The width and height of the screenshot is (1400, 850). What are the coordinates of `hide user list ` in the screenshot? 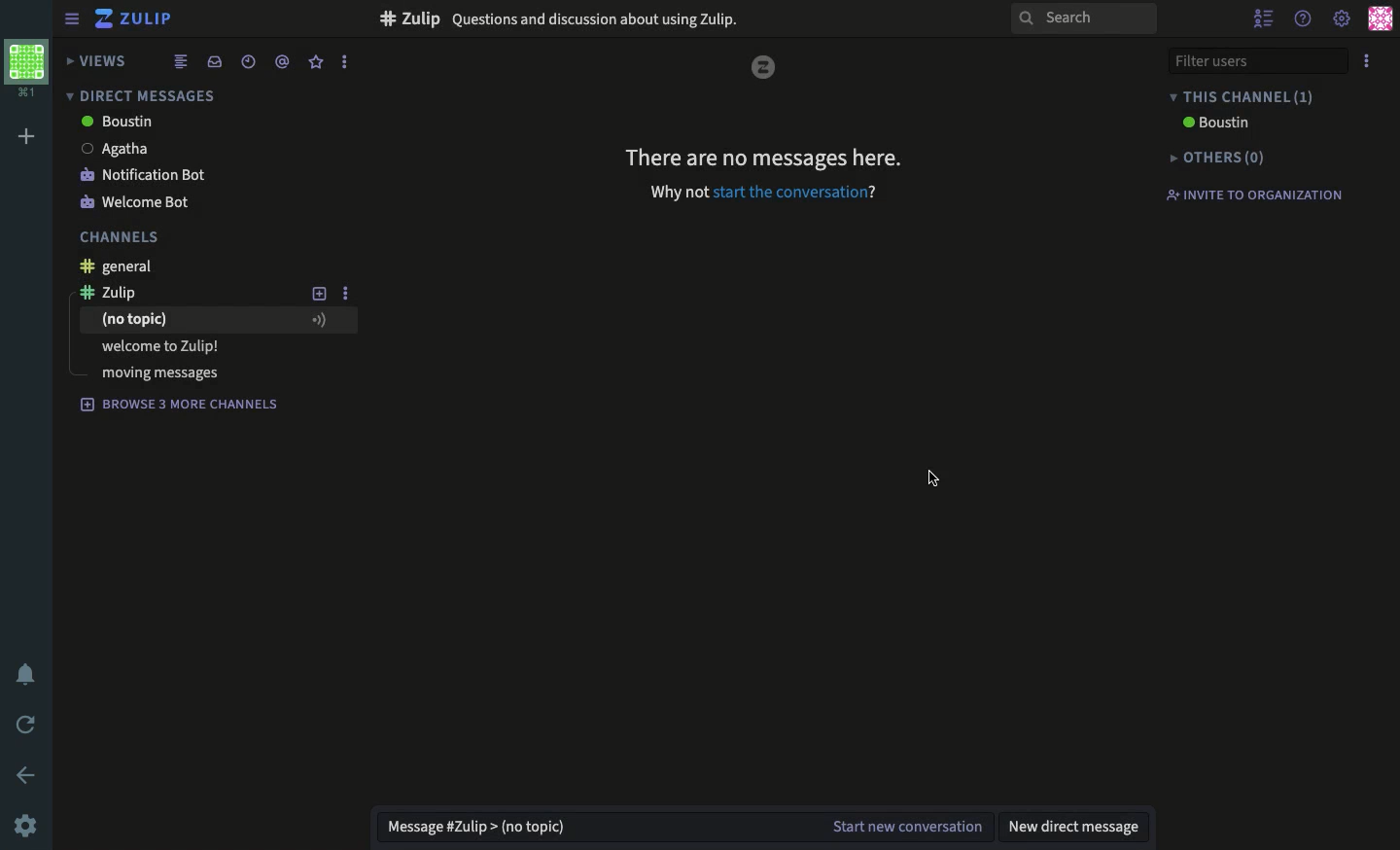 It's located at (1266, 18).